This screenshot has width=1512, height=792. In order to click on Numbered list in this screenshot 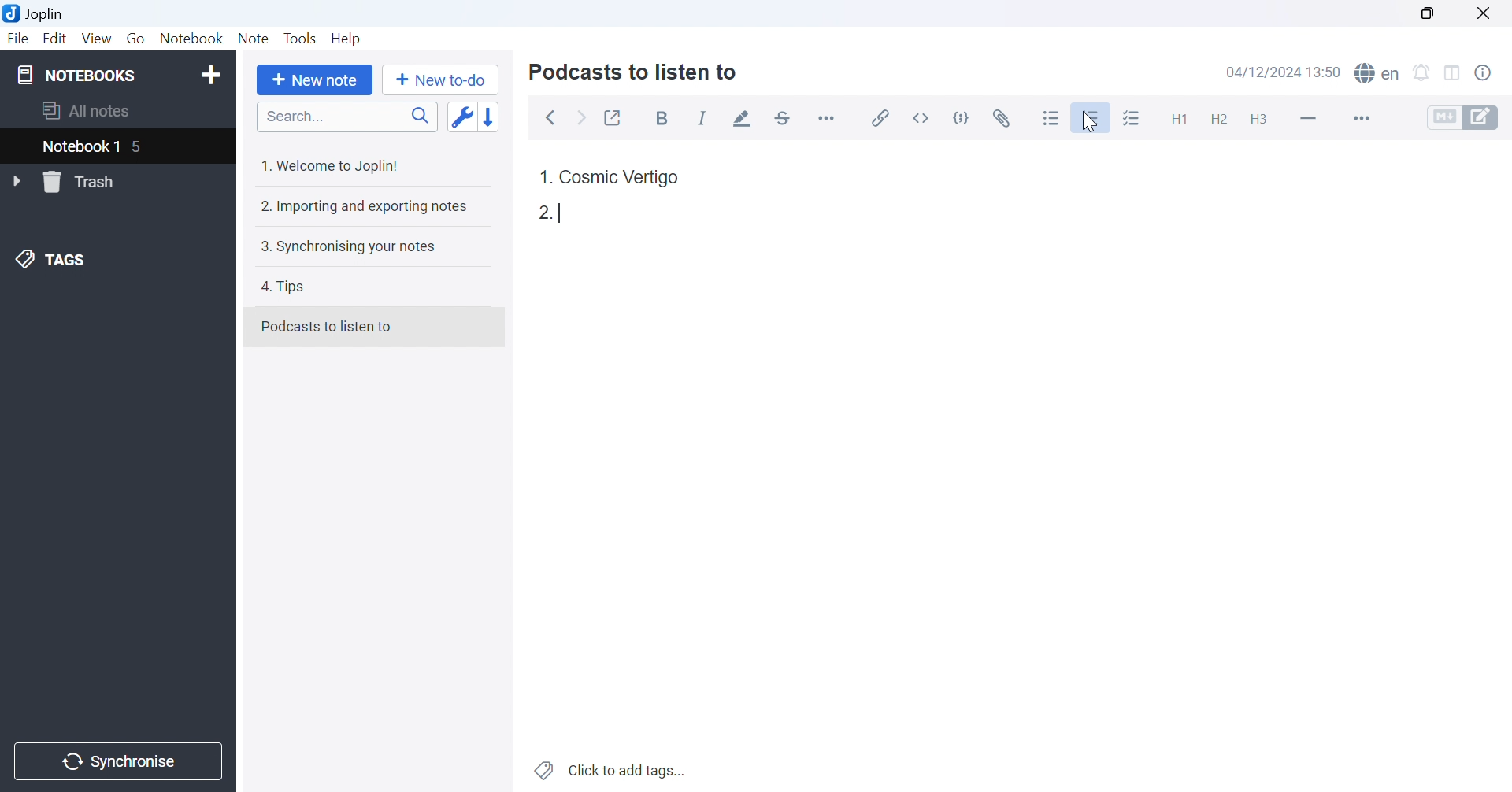, I will do `click(1093, 117)`.